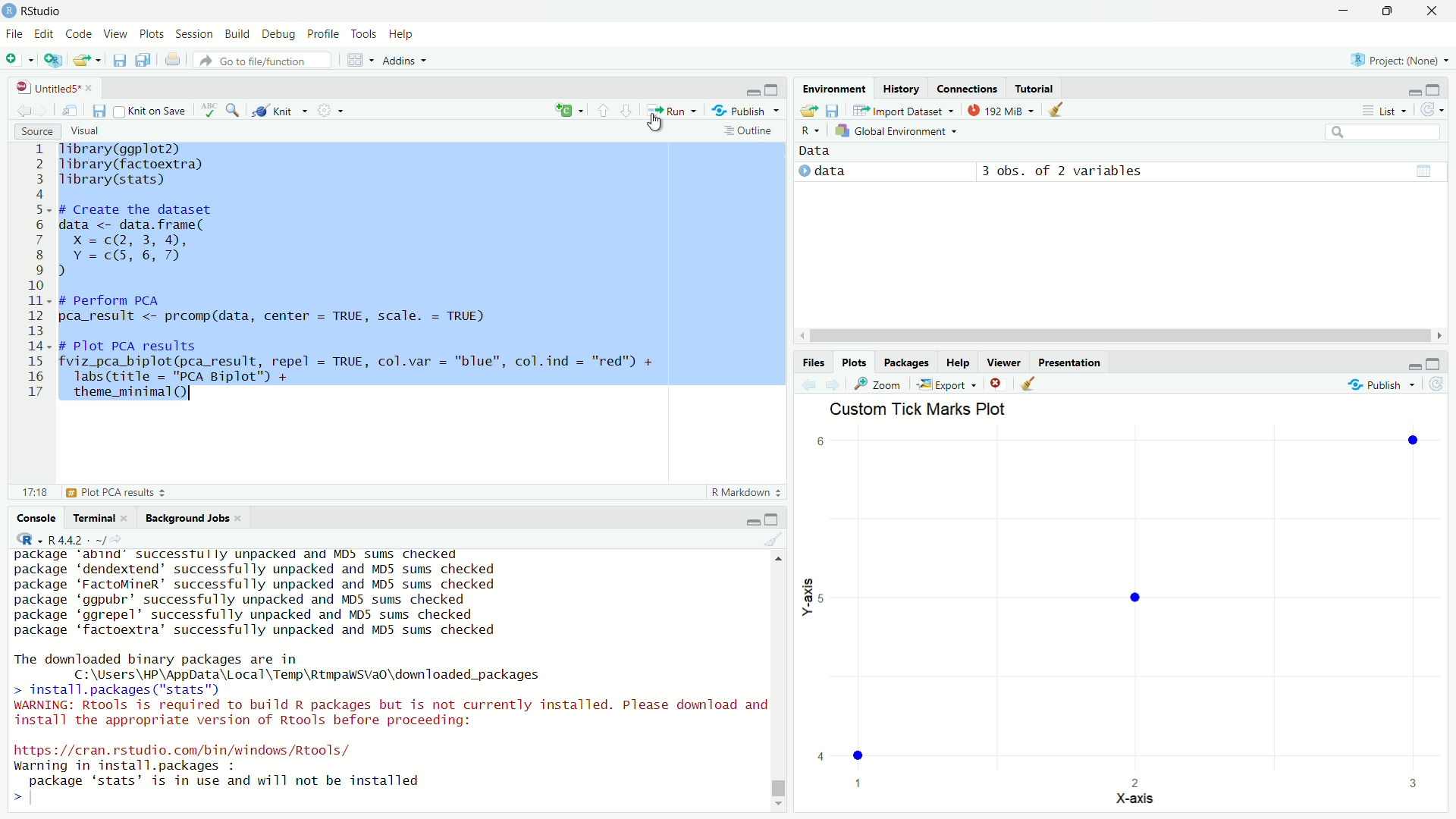  What do you see at coordinates (1395, 59) in the screenshot?
I see `selected project: None` at bounding box center [1395, 59].